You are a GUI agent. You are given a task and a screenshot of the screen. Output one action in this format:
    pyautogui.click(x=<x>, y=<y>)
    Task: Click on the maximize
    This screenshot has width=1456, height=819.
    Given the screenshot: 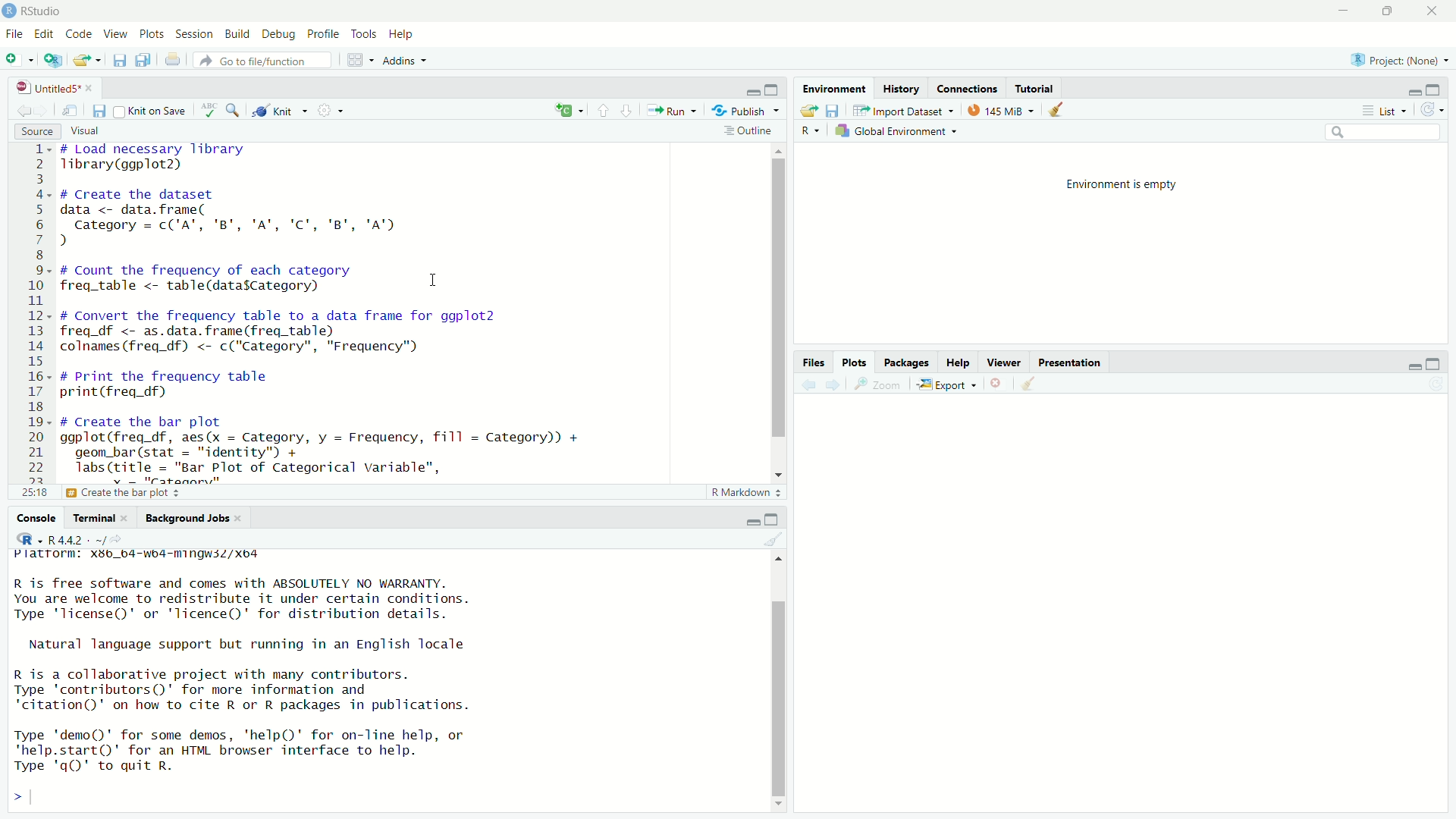 What is the action you would take?
    pyautogui.click(x=772, y=519)
    